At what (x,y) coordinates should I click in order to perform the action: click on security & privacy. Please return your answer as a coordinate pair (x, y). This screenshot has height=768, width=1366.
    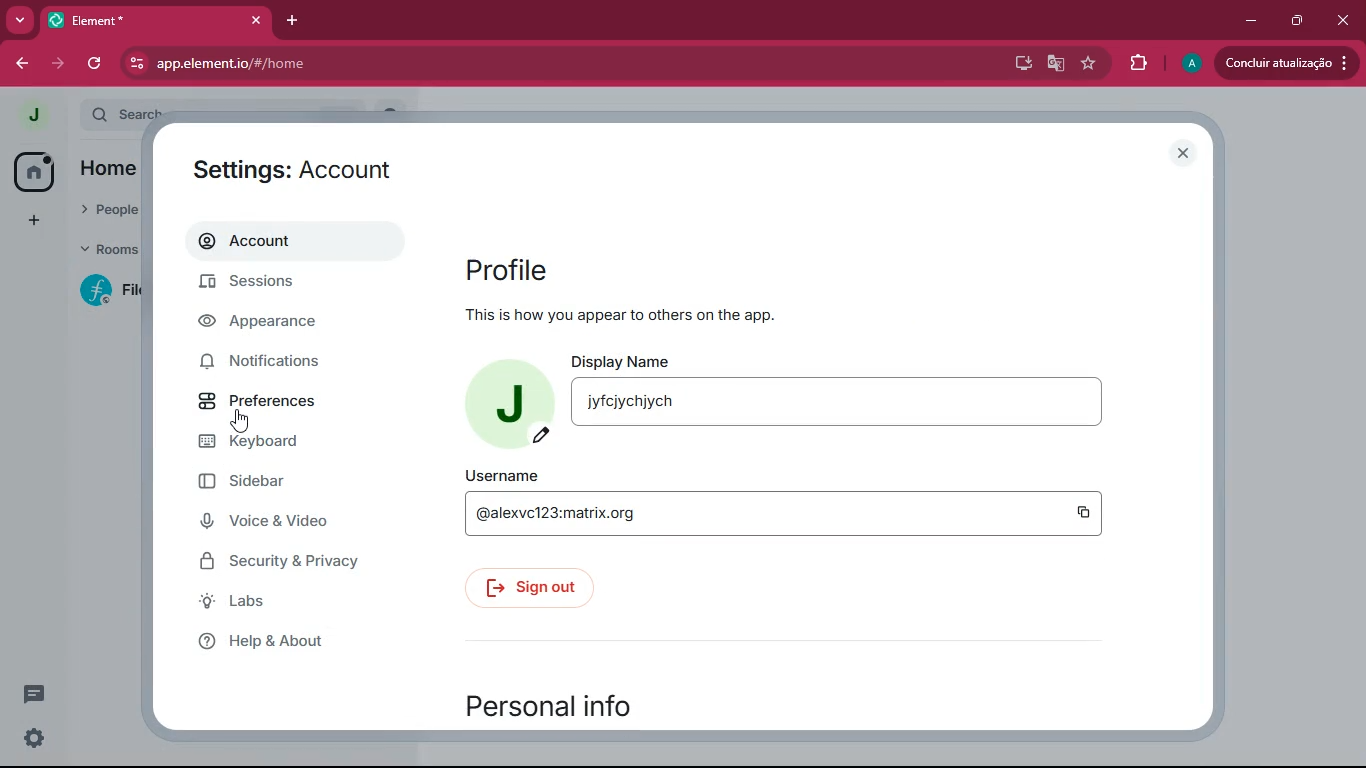
    Looking at the image, I should click on (292, 562).